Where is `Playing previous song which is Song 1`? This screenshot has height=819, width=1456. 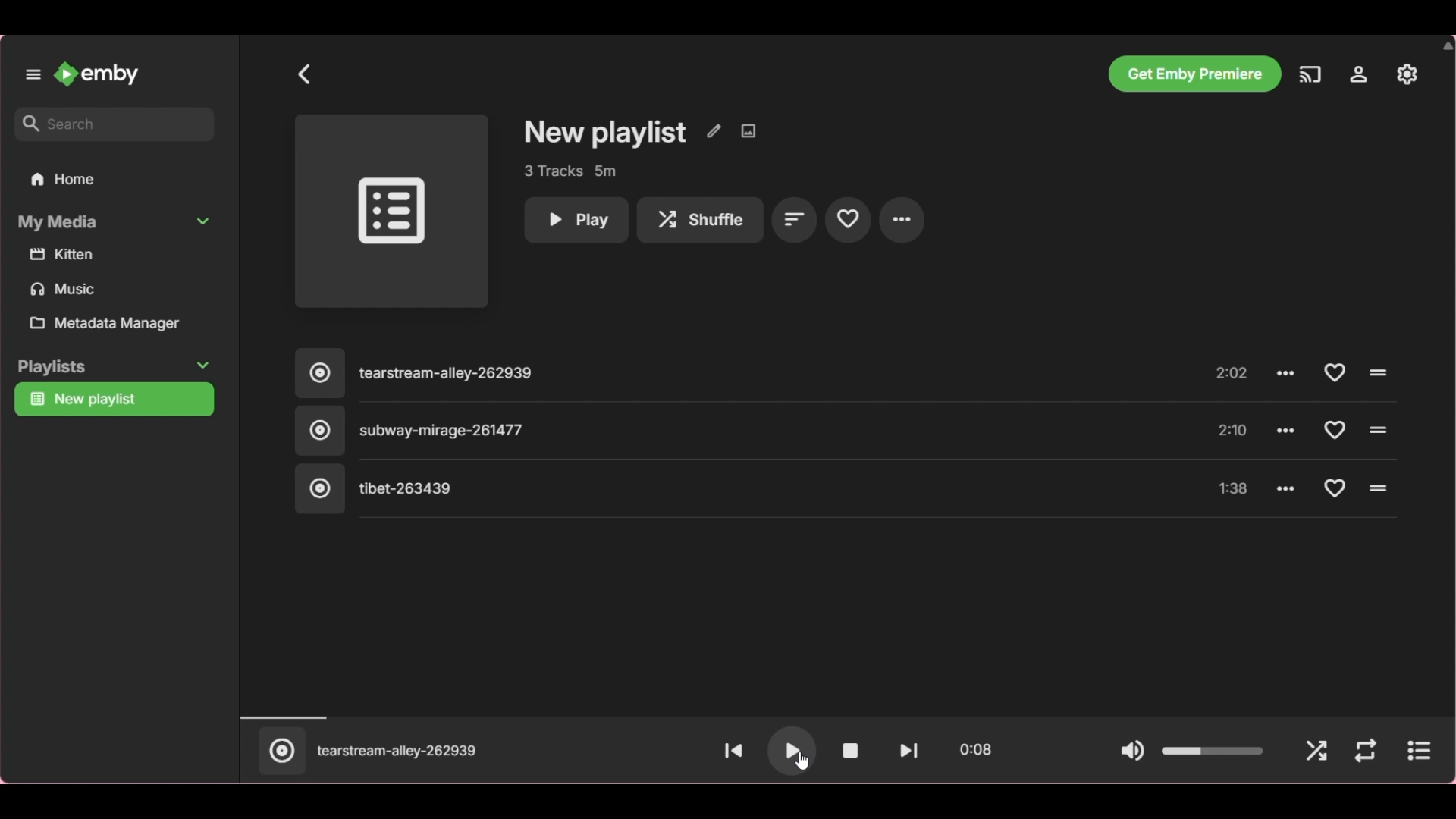 Playing previous song which is Song 1 is located at coordinates (397, 751).